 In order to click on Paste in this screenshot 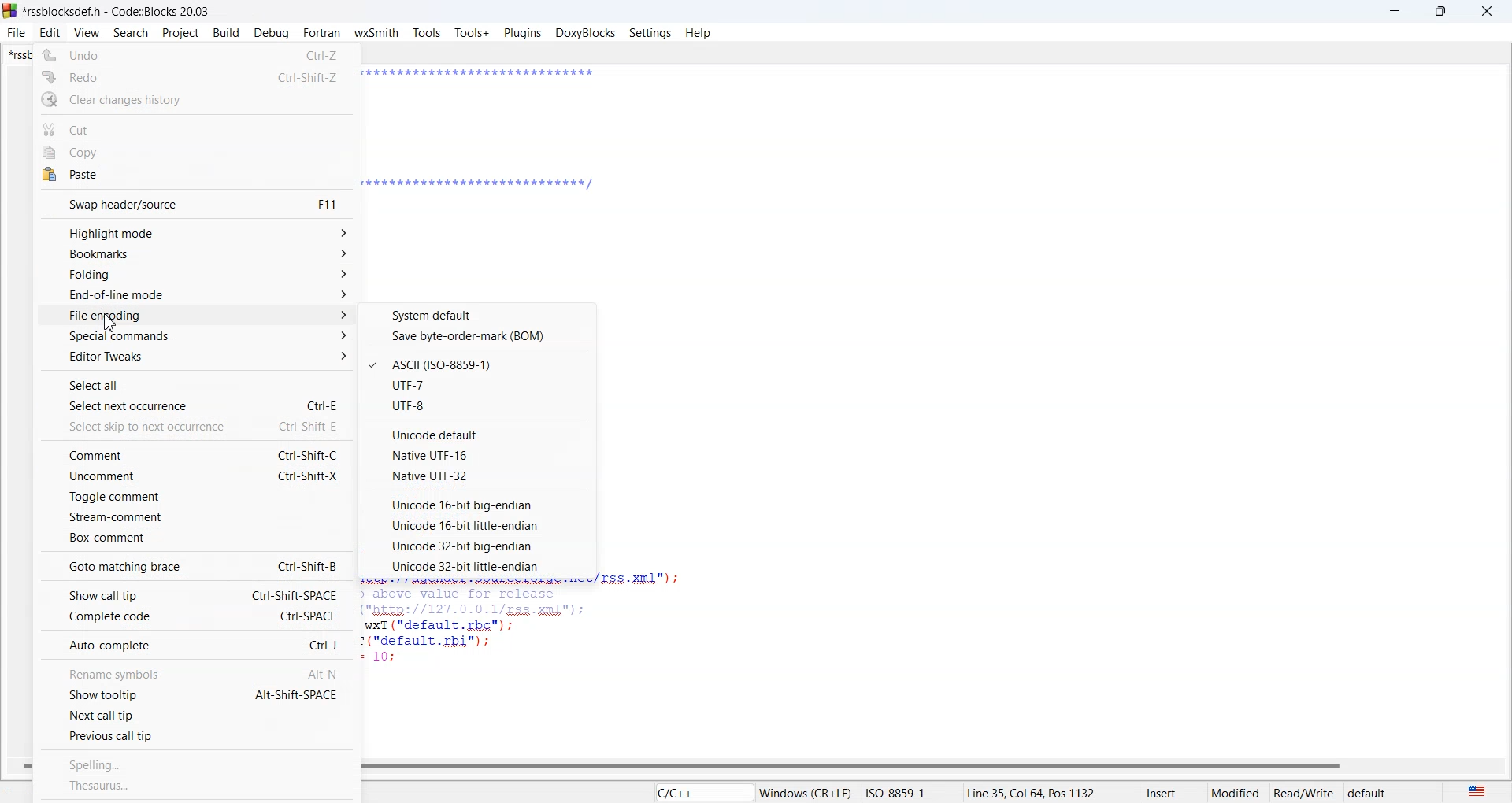, I will do `click(195, 176)`.